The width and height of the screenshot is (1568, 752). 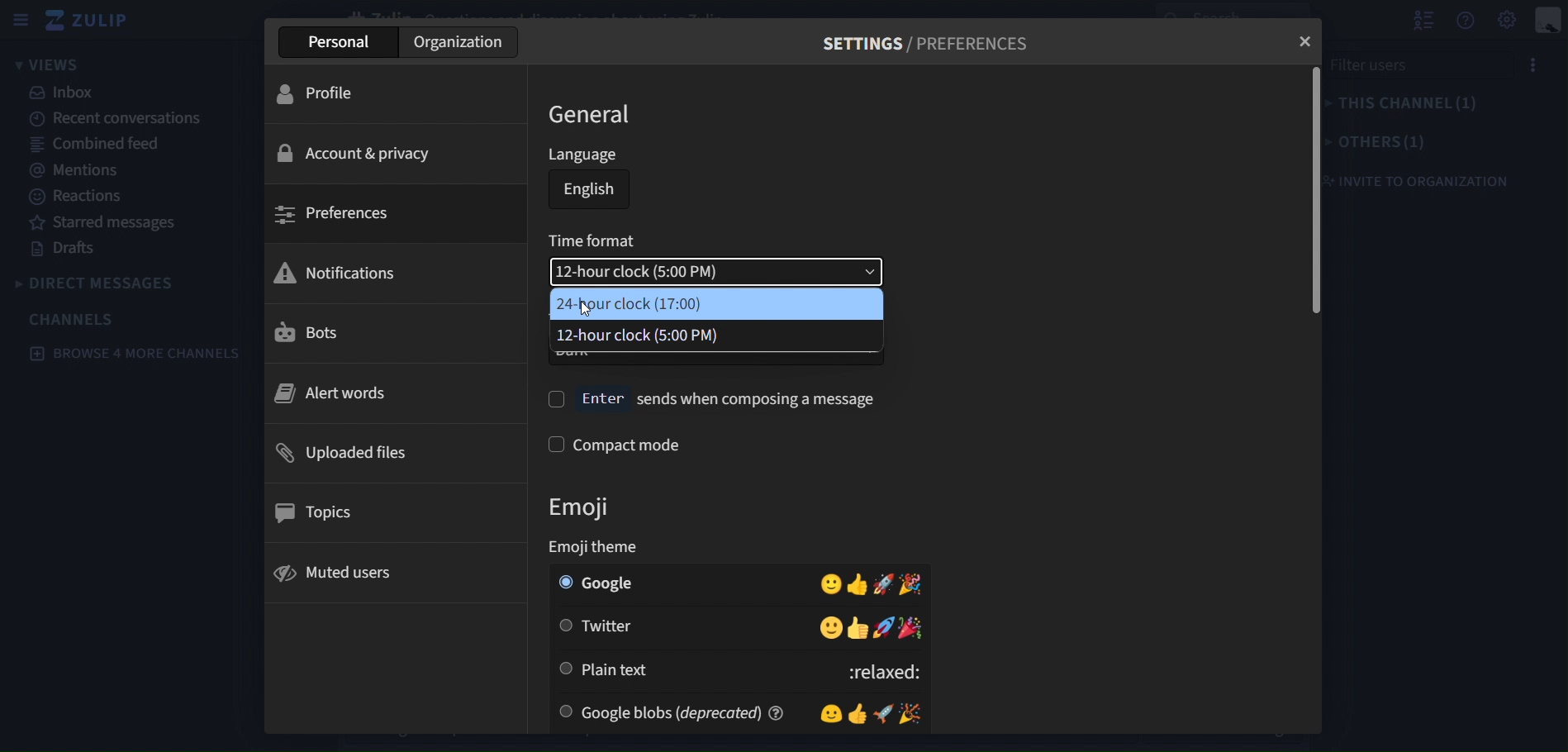 What do you see at coordinates (75, 319) in the screenshot?
I see `channels` at bounding box center [75, 319].